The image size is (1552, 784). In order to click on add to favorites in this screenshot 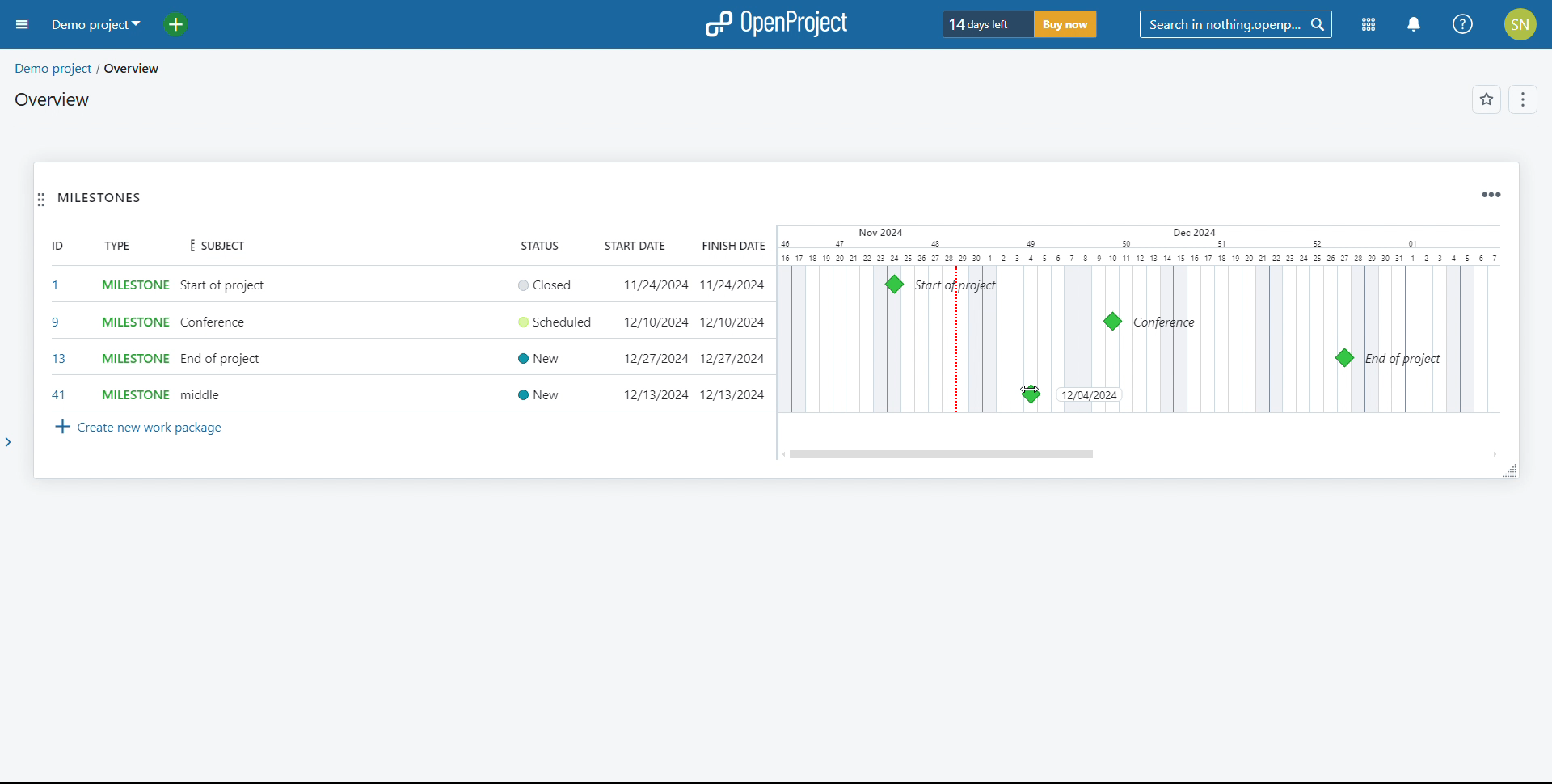, I will do `click(1487, 99)`.